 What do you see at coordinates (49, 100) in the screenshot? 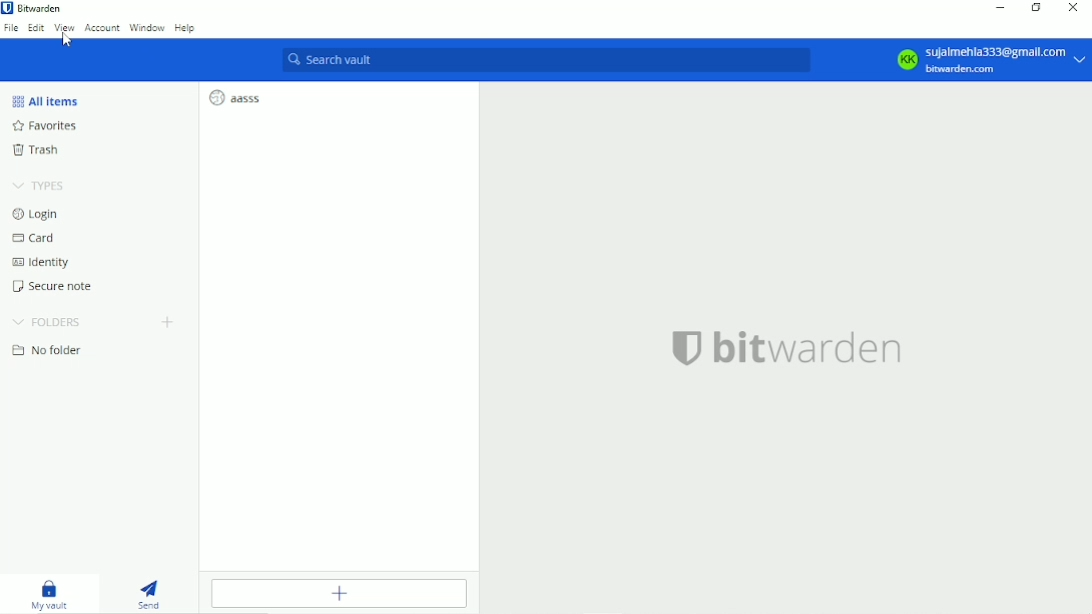
I see `All items` at bounding box center [49, 100].